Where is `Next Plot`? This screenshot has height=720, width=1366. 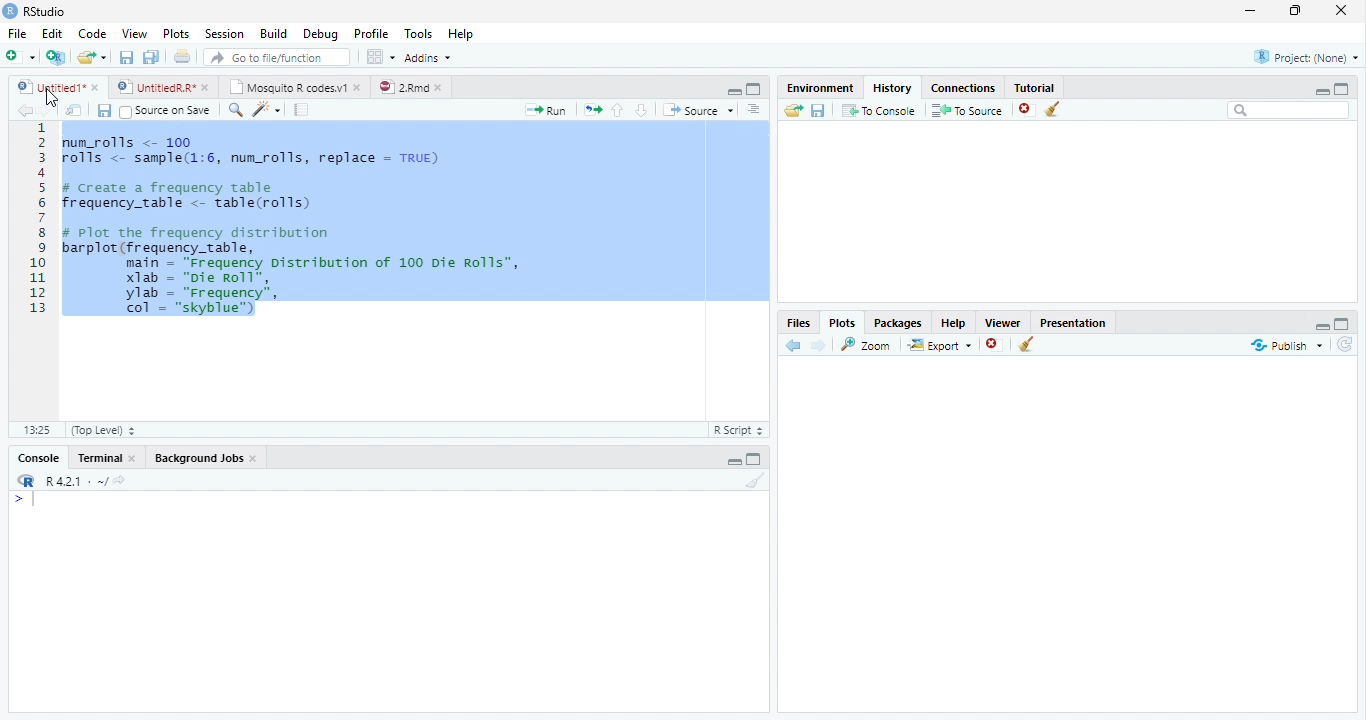 Next Plot is located at coordinates (820, 345).